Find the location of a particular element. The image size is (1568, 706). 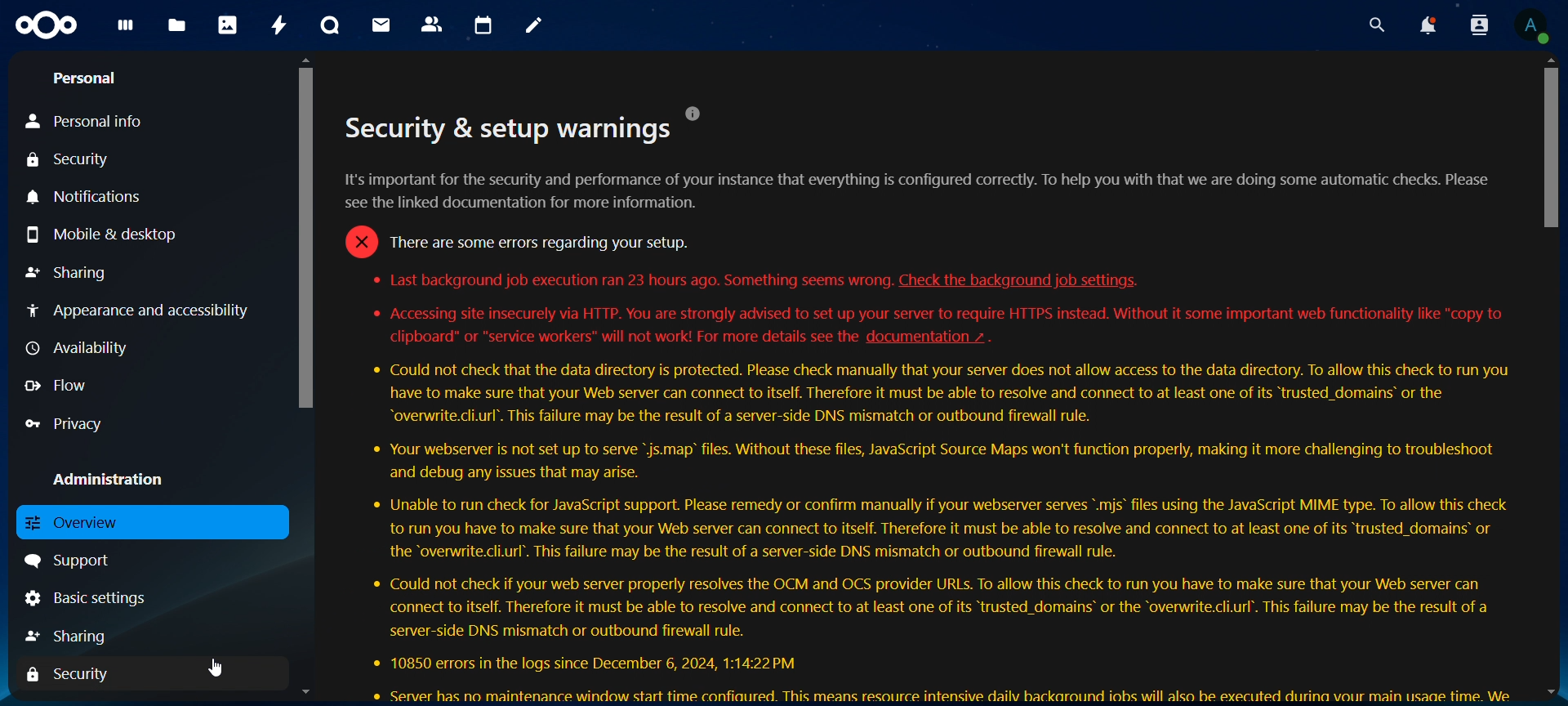

security is located at coordinates (69, 161).